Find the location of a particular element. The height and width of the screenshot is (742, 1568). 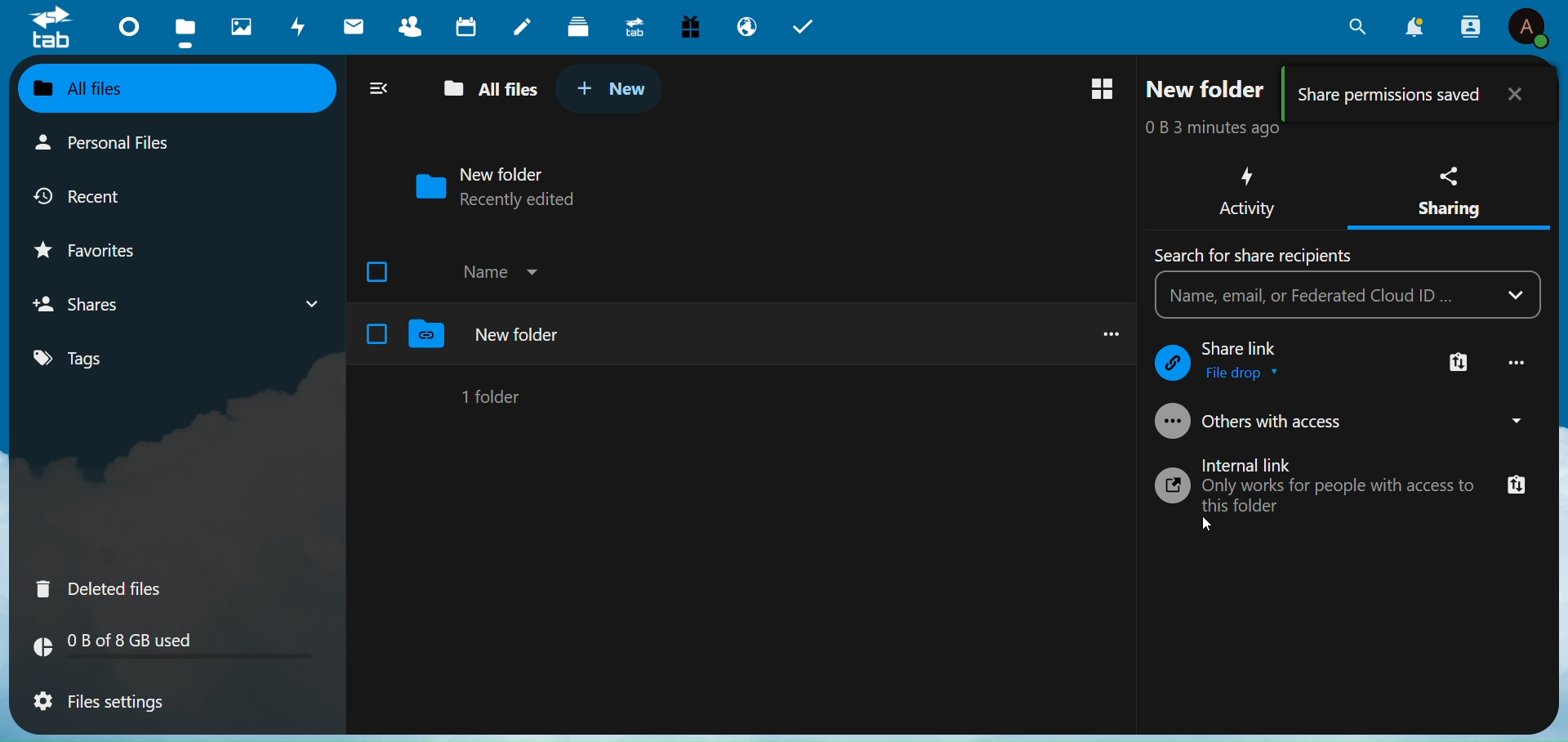

Personal Files is located at coordinates (109, 144).